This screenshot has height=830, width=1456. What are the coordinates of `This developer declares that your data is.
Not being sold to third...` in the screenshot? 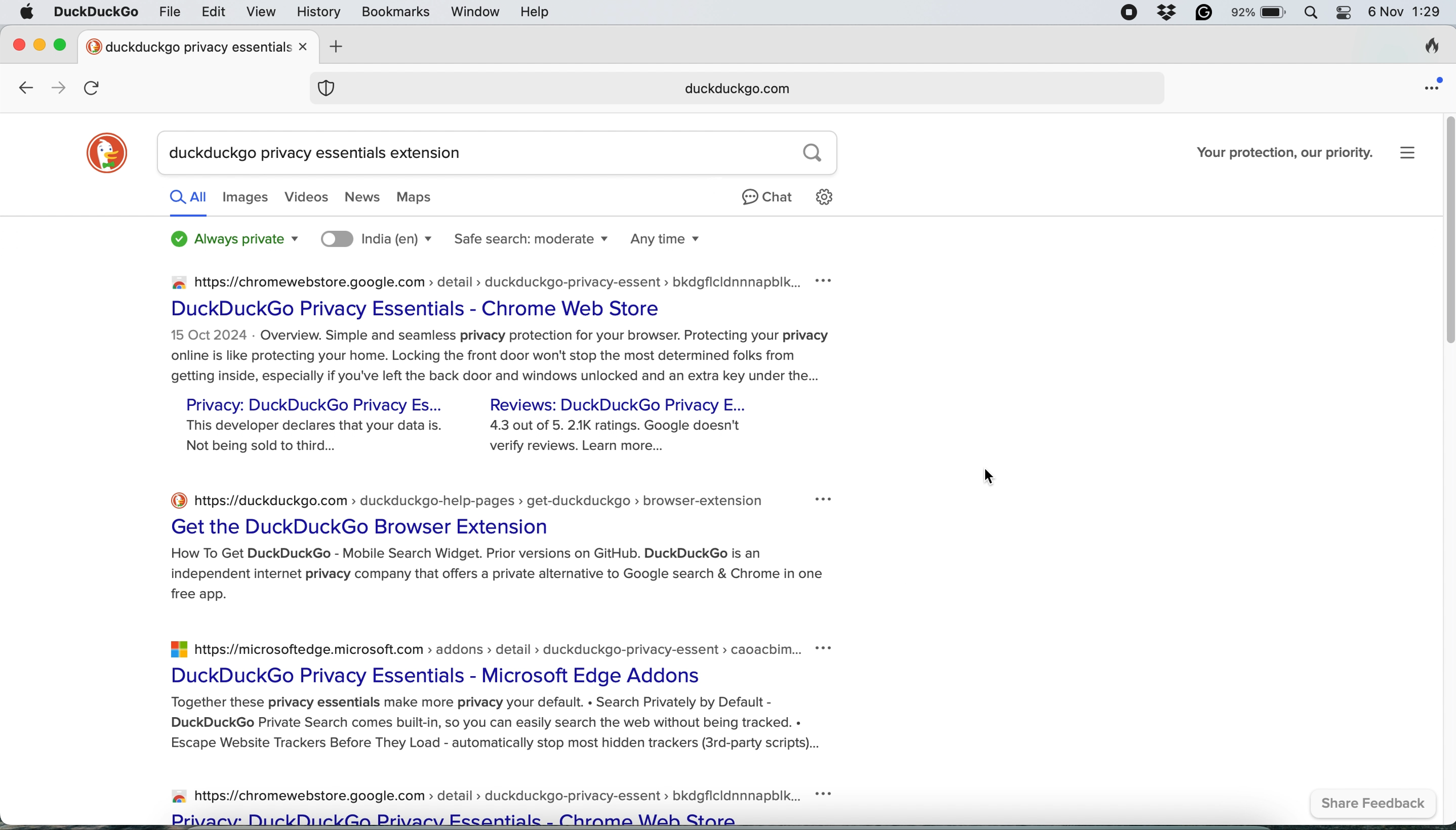 It's located at (314, 435).